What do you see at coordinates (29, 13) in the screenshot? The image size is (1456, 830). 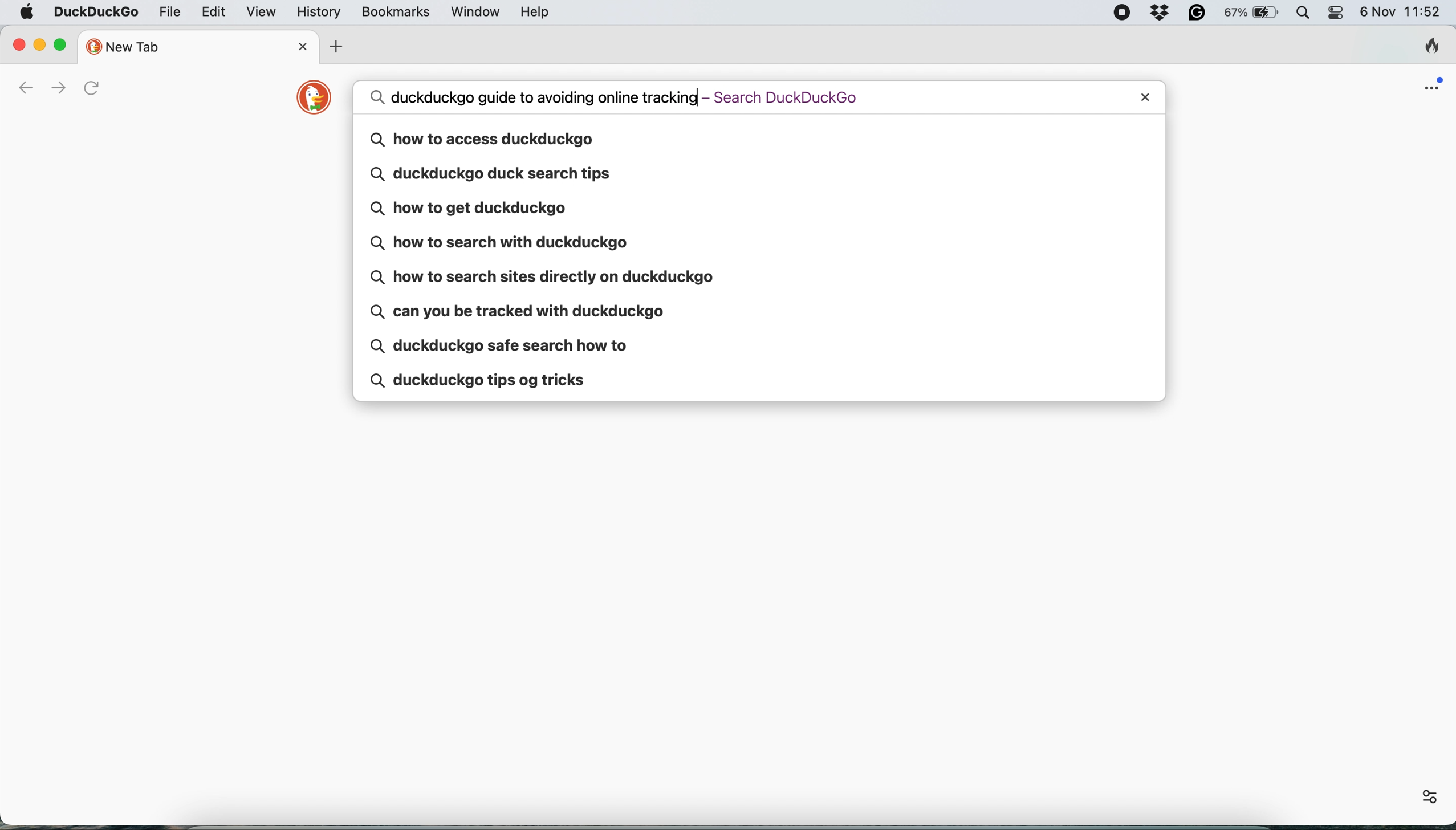 I see `system logo` at bounding box center [29, 13].